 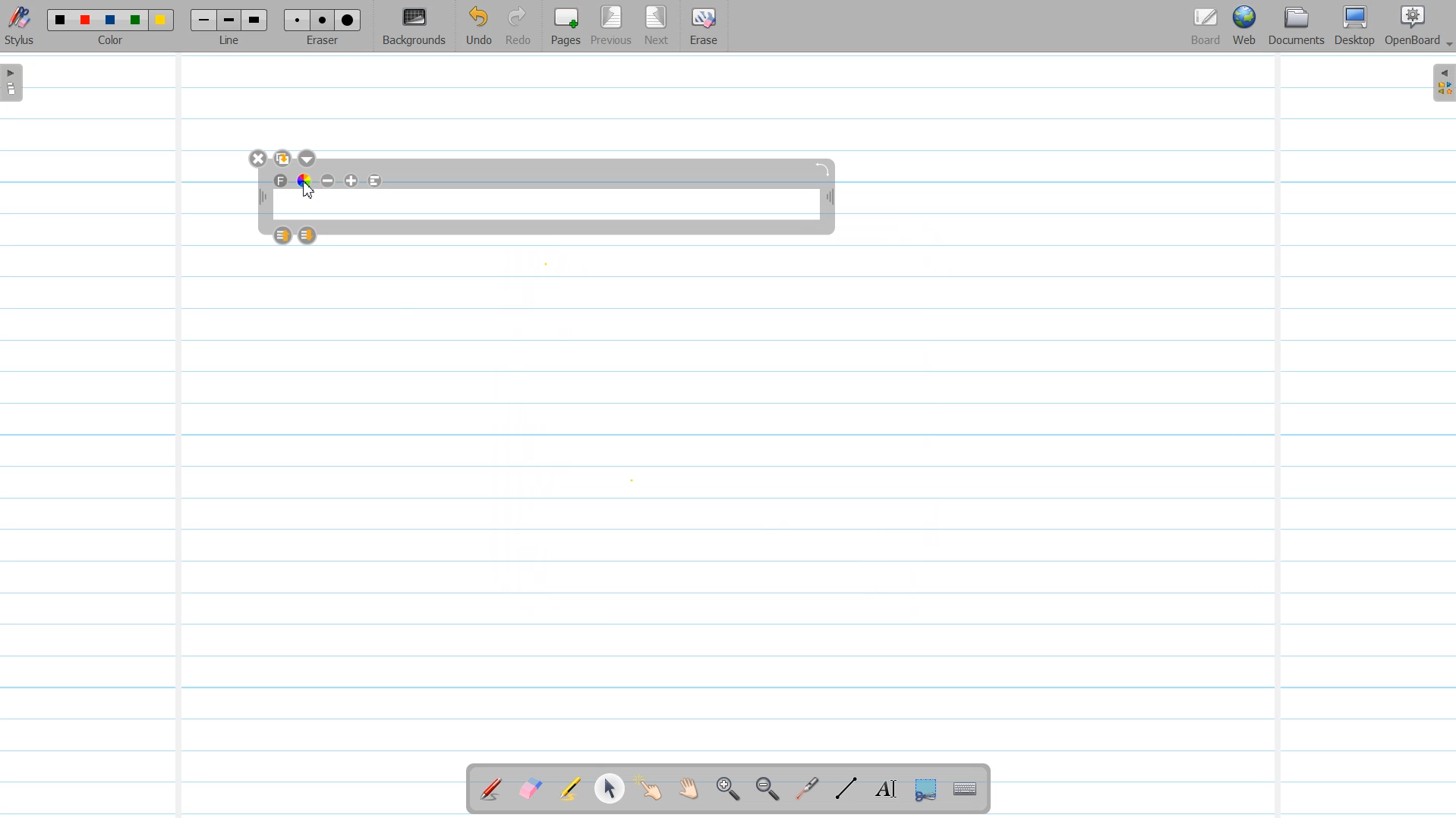 What do you see at coordinates (376, 181) in the screenshot?
I see `Align to left text` at bounding box center [376, 181].